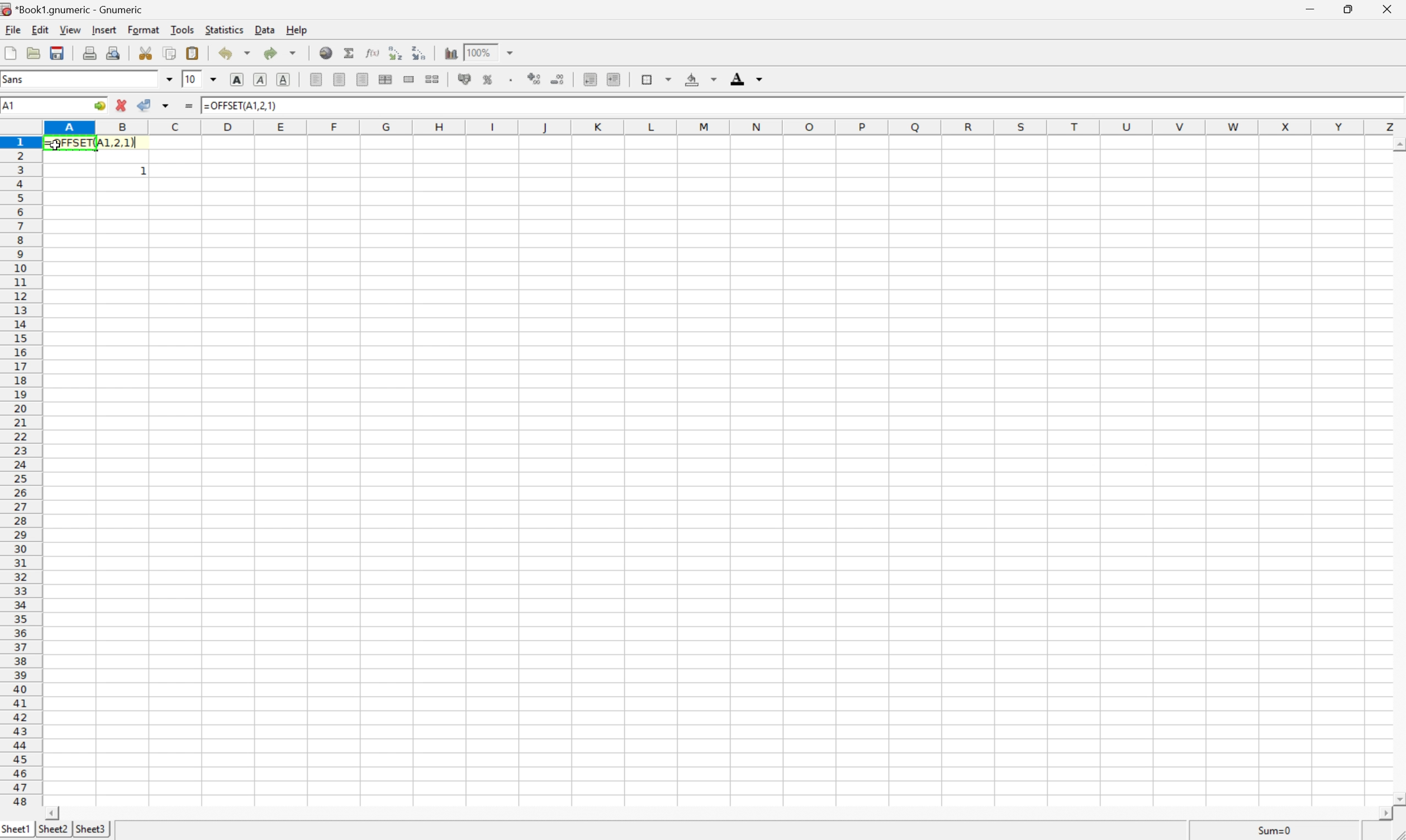 The height and width of the screenshot is (840, 1406). I want to click on sheet2, so click(53, 832).